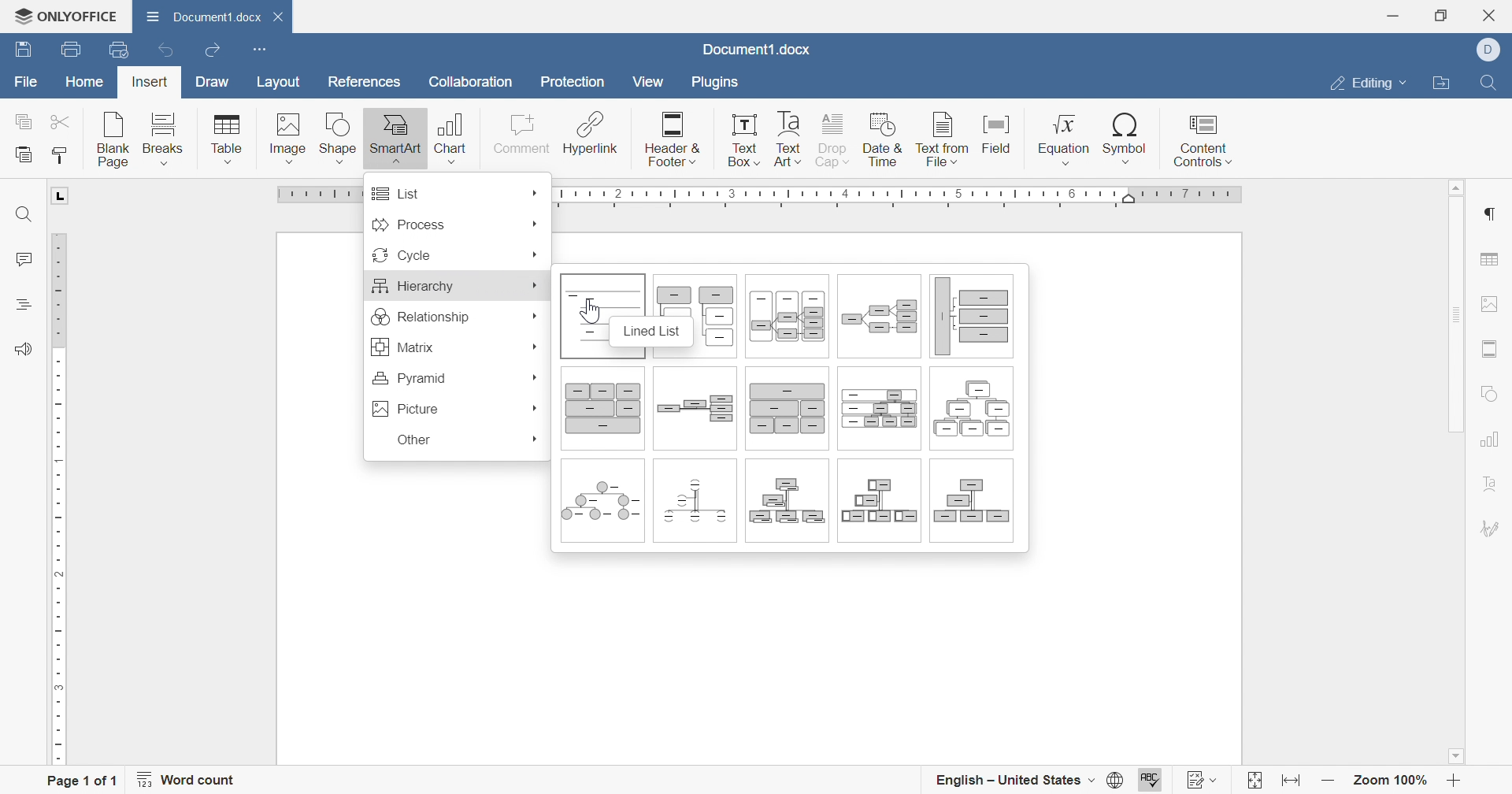 The image size is (1512, 794). Describe the element at coordinates (975, 317) in the screenshot. I see `Horizontal multi-level hirarchy` at that location.